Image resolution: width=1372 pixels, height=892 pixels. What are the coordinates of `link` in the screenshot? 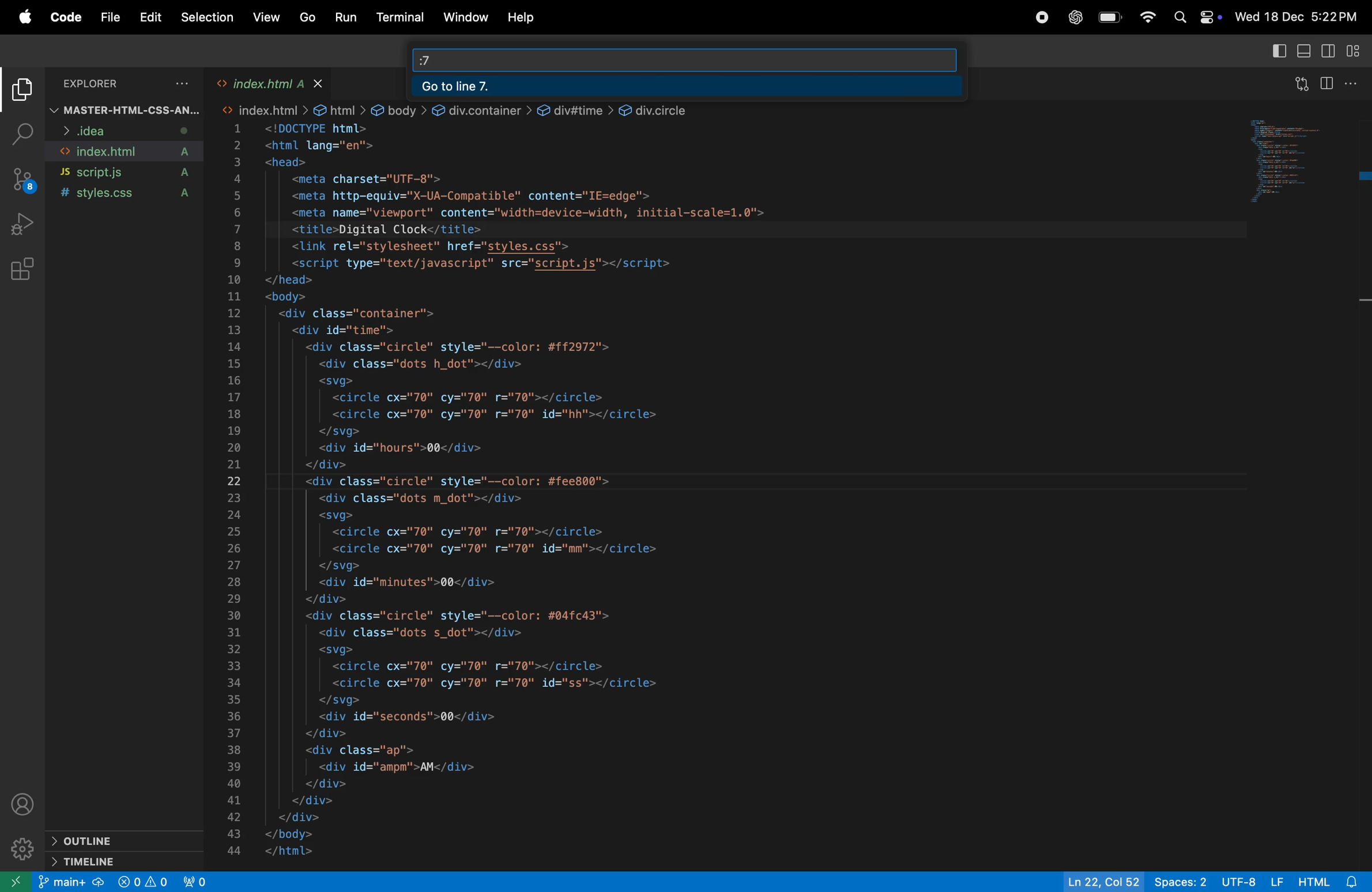 It's located at (341, 108).